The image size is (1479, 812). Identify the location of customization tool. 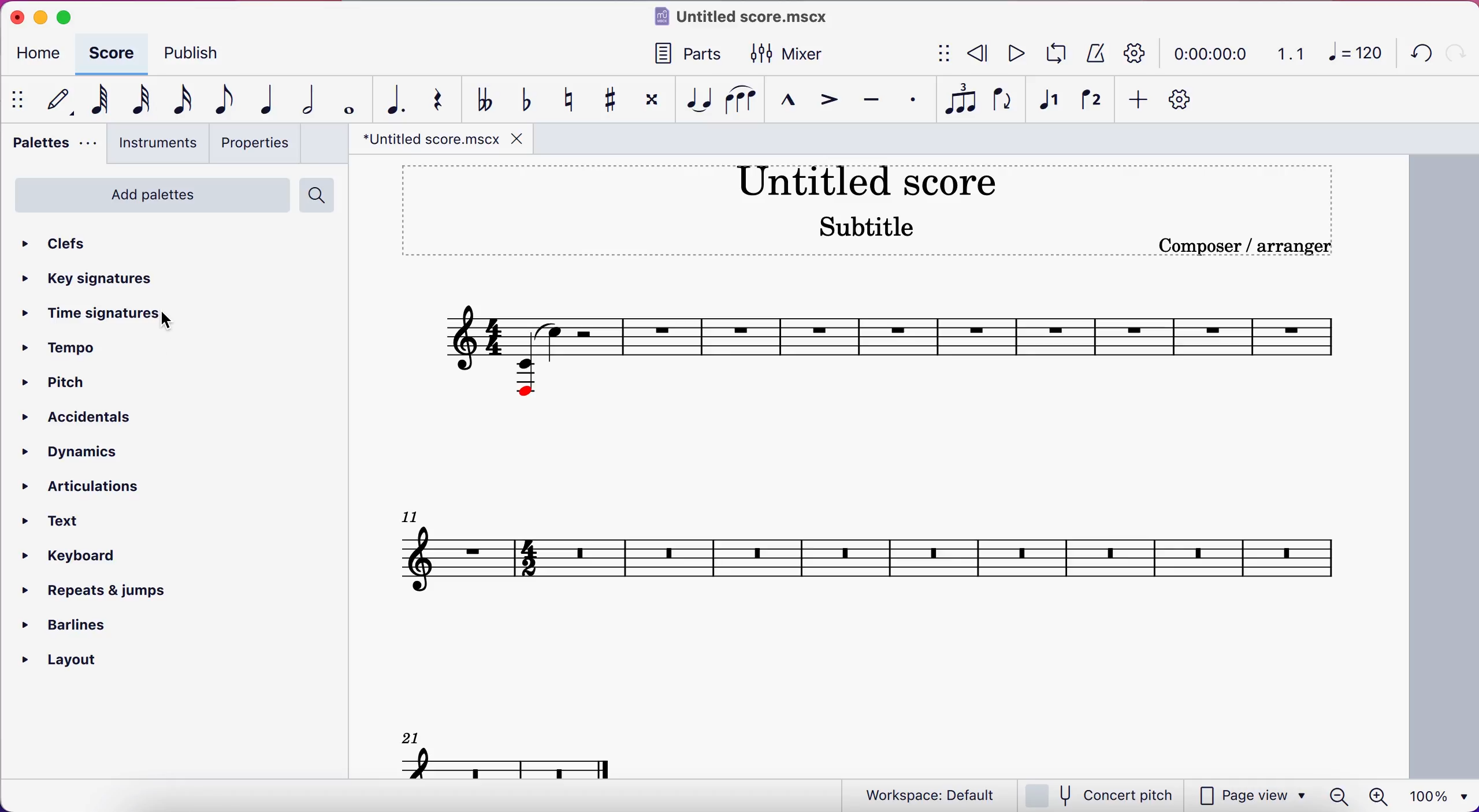
(1188, 100).